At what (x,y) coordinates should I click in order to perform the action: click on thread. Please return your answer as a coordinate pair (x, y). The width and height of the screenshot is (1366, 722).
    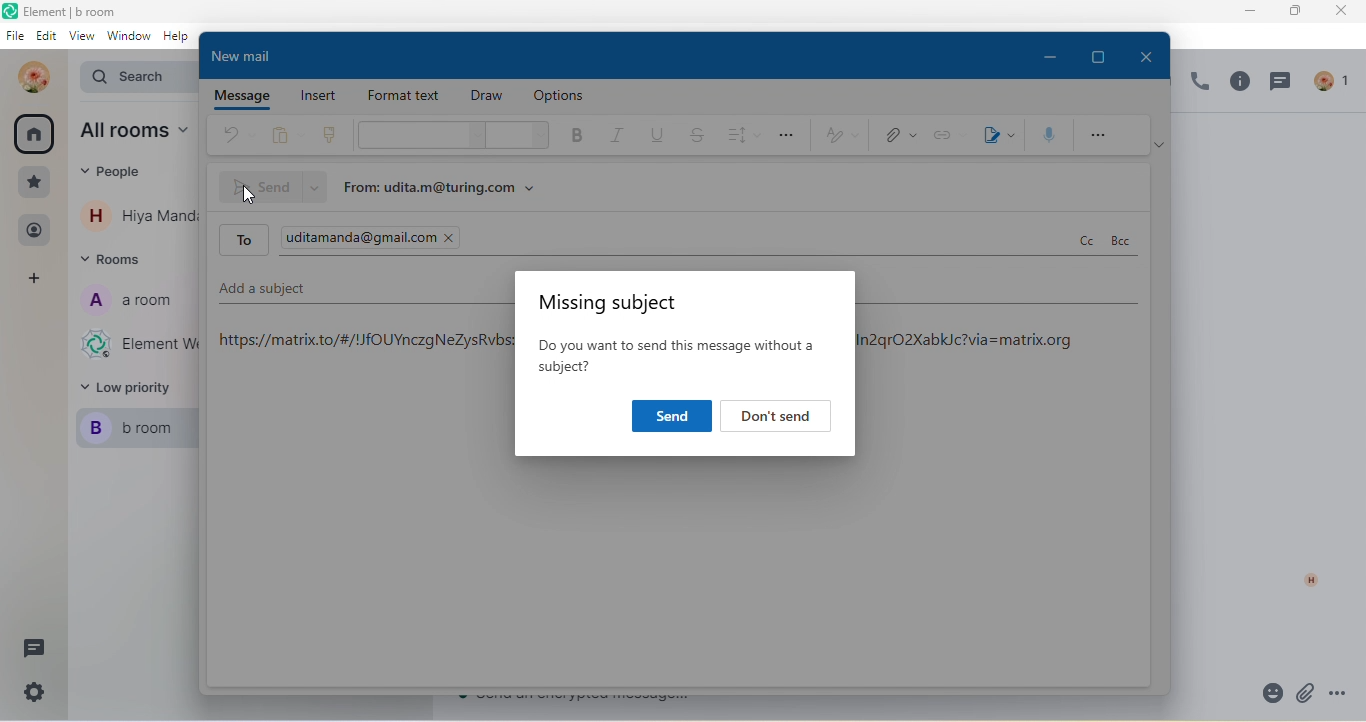
    Looking at the image, I should click on (1285, 85).